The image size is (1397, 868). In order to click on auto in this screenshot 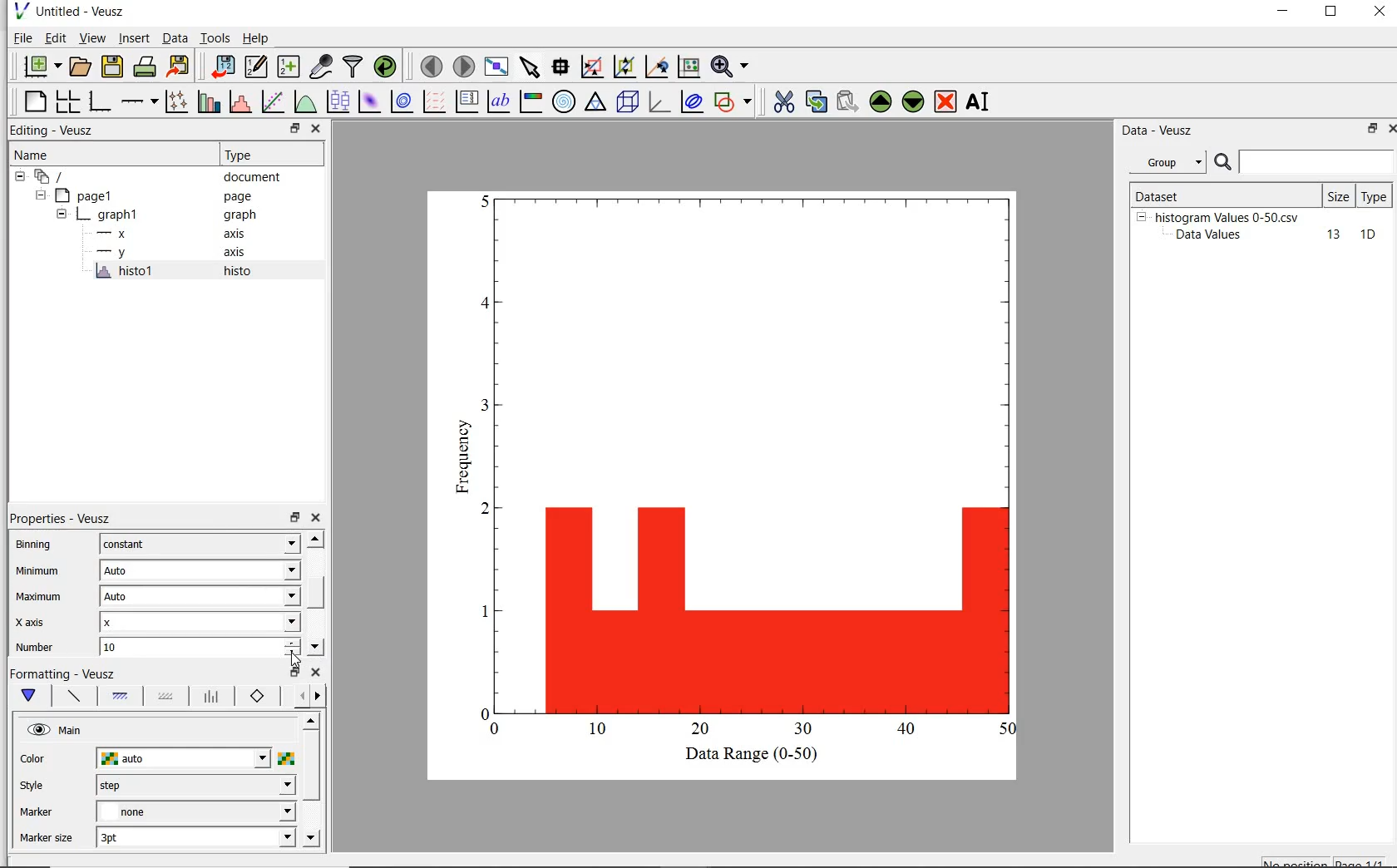, I will do `click(200, 570)`.